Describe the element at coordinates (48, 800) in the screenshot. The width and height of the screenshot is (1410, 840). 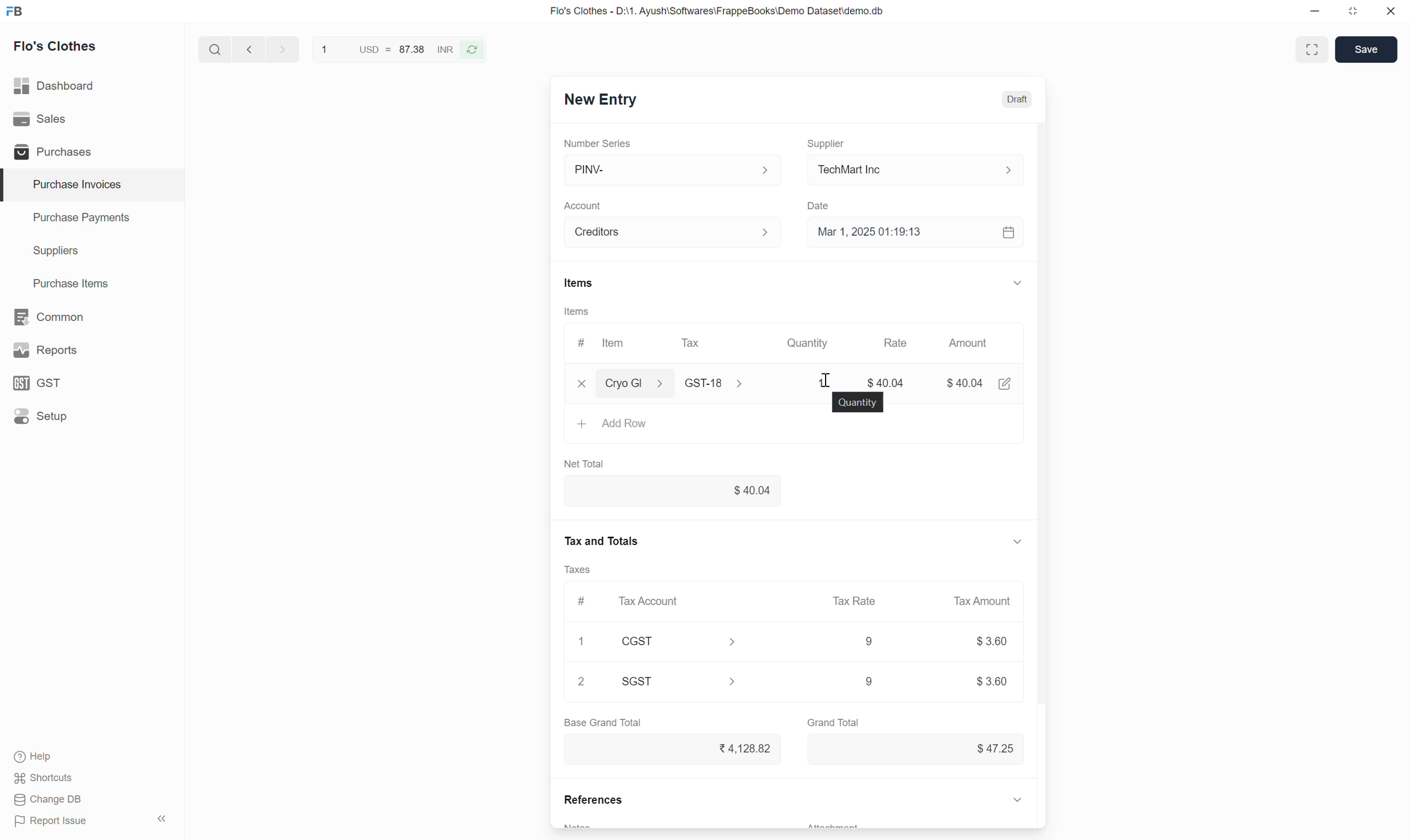
I see `Change DB` at that location.